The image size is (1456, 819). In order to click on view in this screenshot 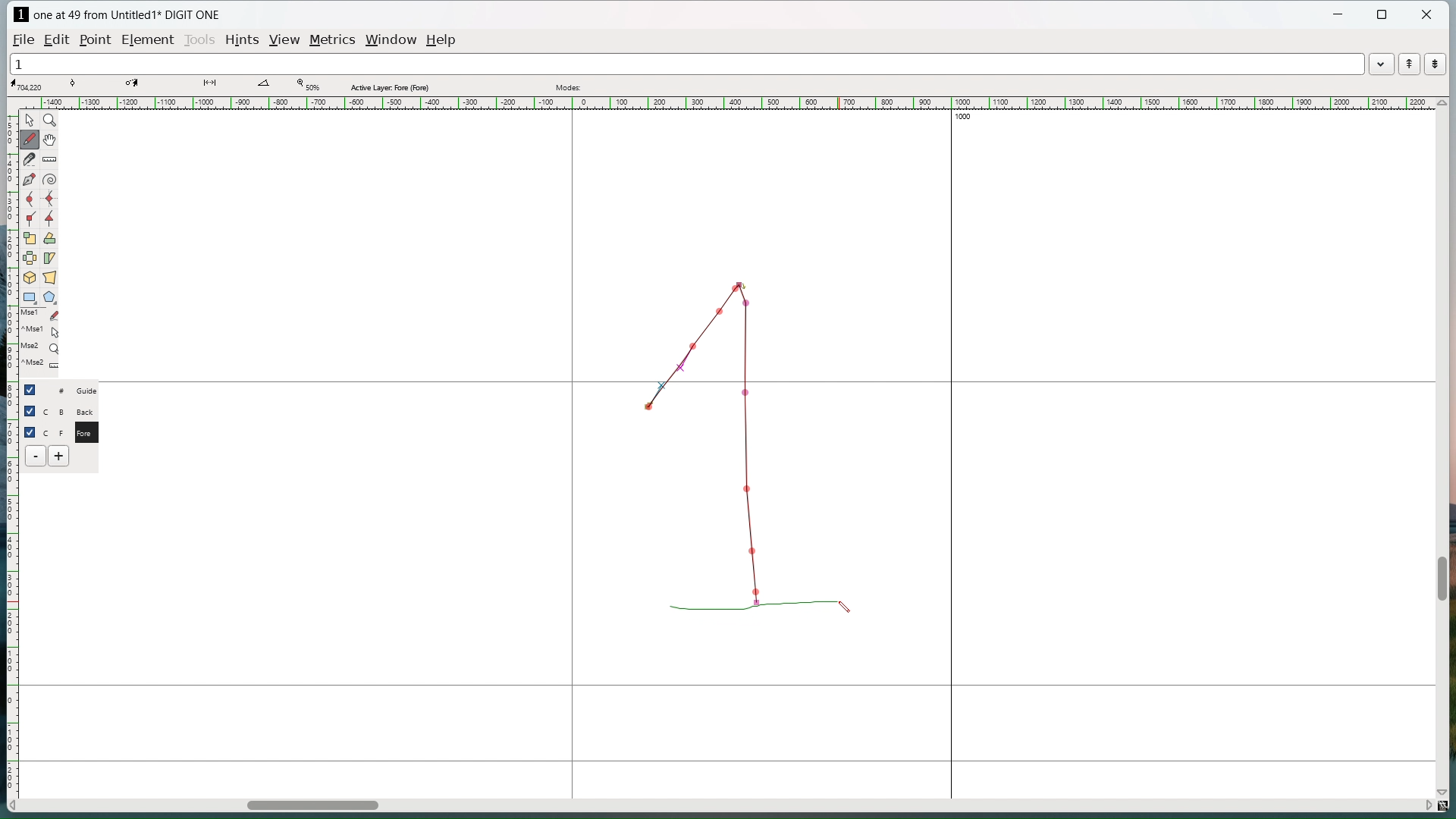, I will do `click(286, 40)`.